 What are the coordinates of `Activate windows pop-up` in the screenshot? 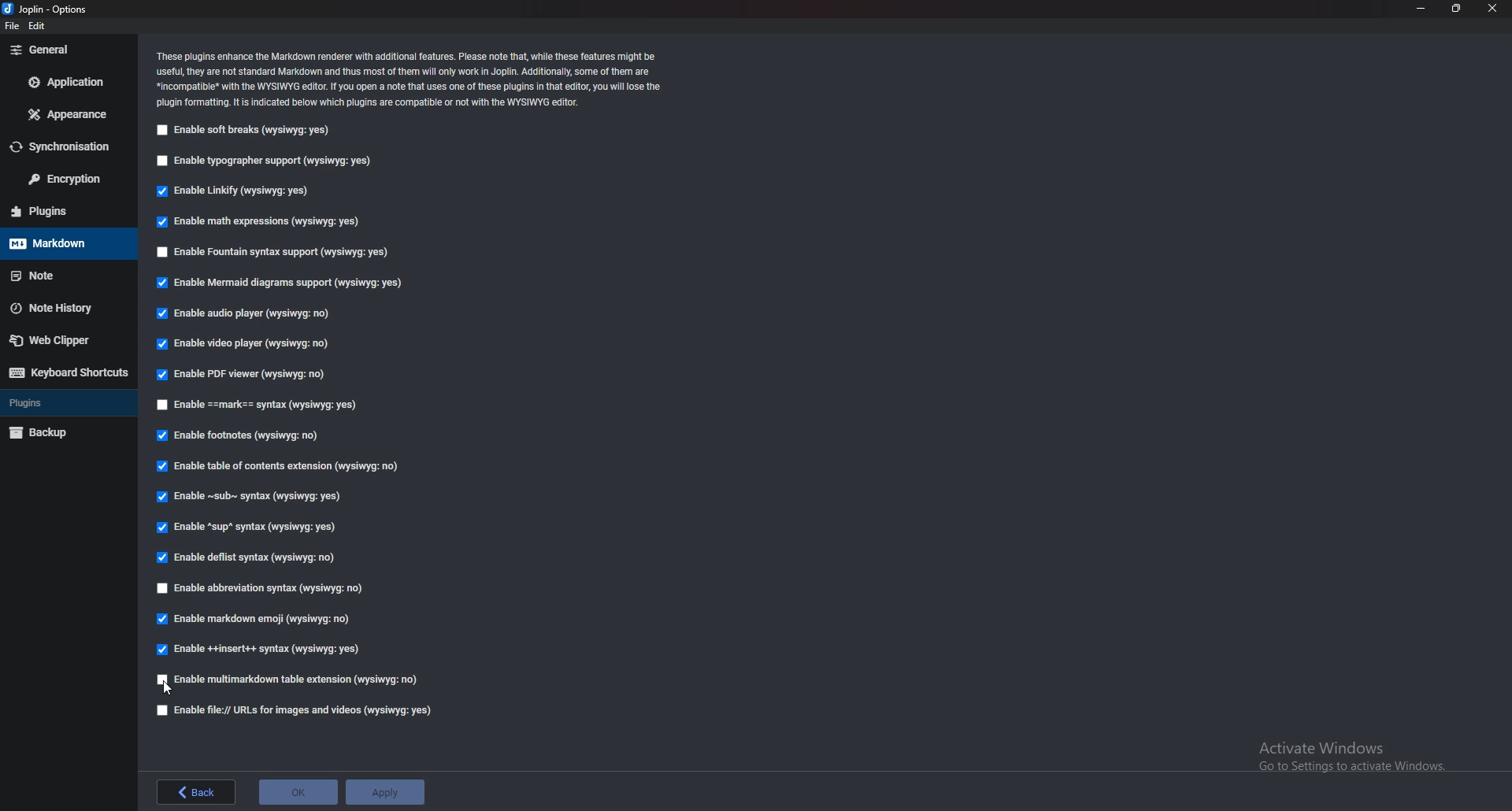 It's located at (1358, 760).